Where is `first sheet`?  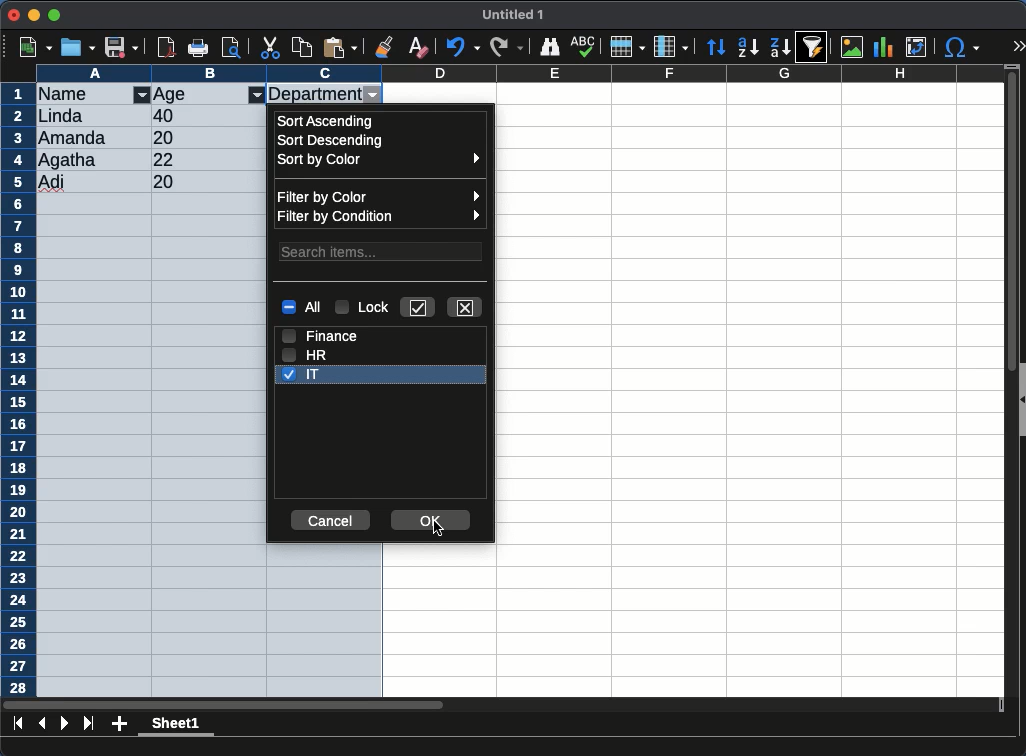
first sheet is located at coordinates (18, 723).